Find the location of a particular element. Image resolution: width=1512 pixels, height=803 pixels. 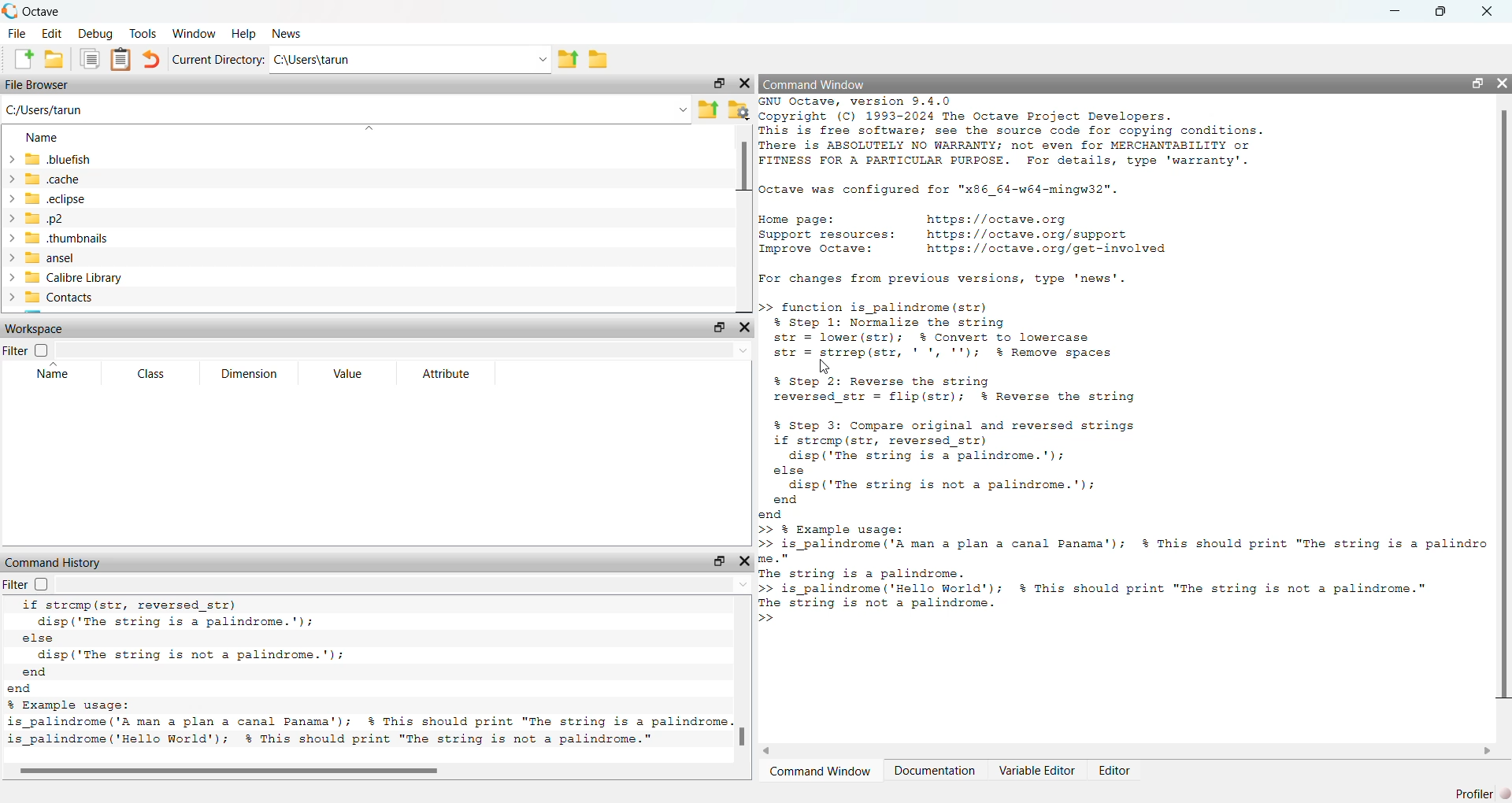

end is located at coordinates (822, 509).